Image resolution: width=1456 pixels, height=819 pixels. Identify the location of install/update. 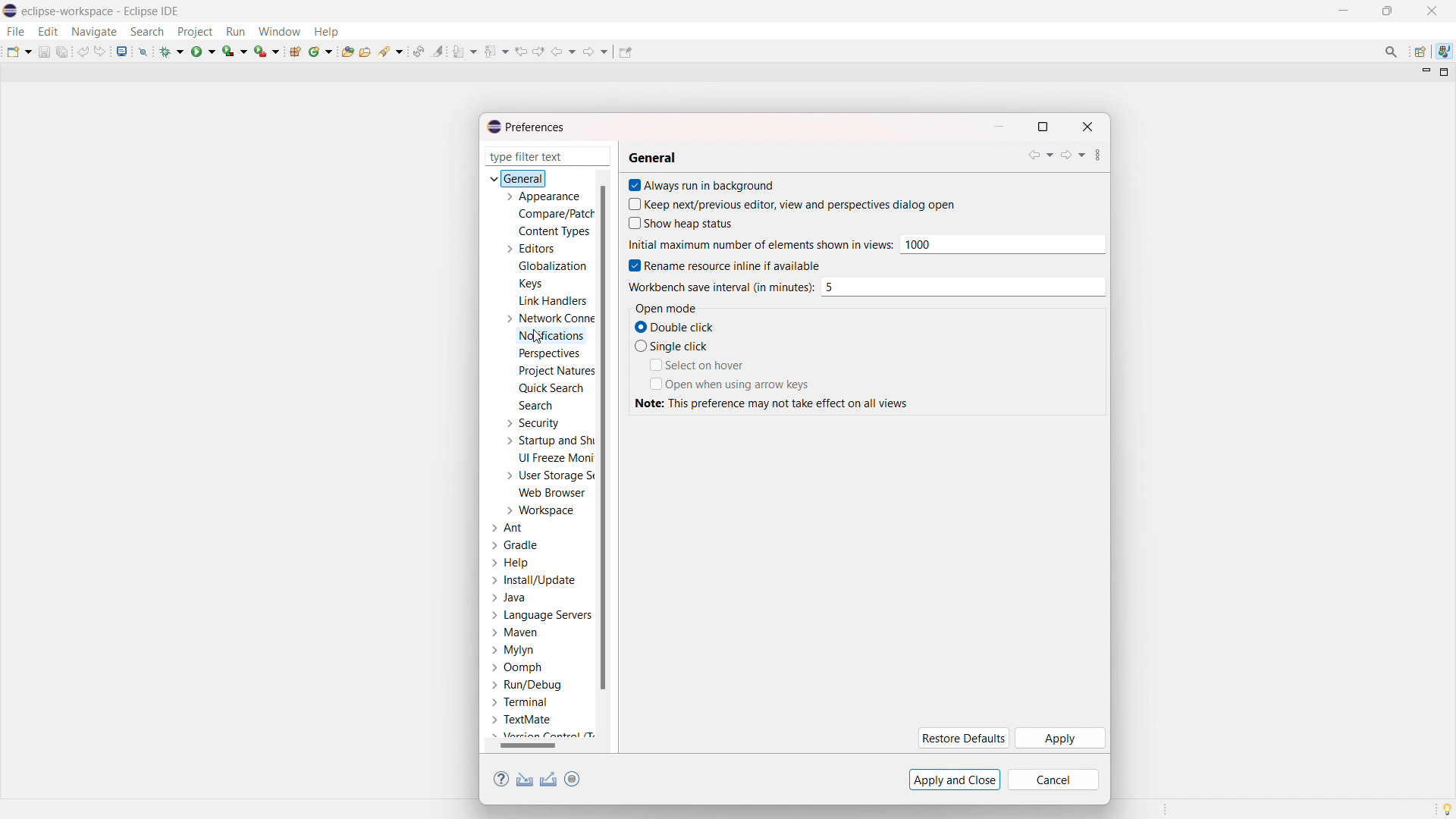
(535, 581).